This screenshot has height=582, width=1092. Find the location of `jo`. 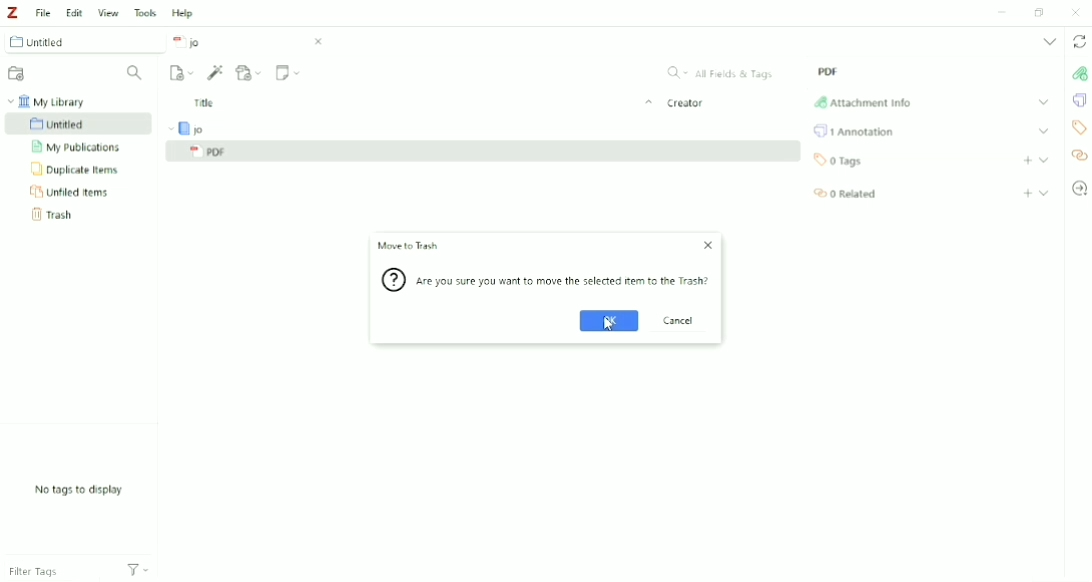

jo is located at coordinates (212, 128).